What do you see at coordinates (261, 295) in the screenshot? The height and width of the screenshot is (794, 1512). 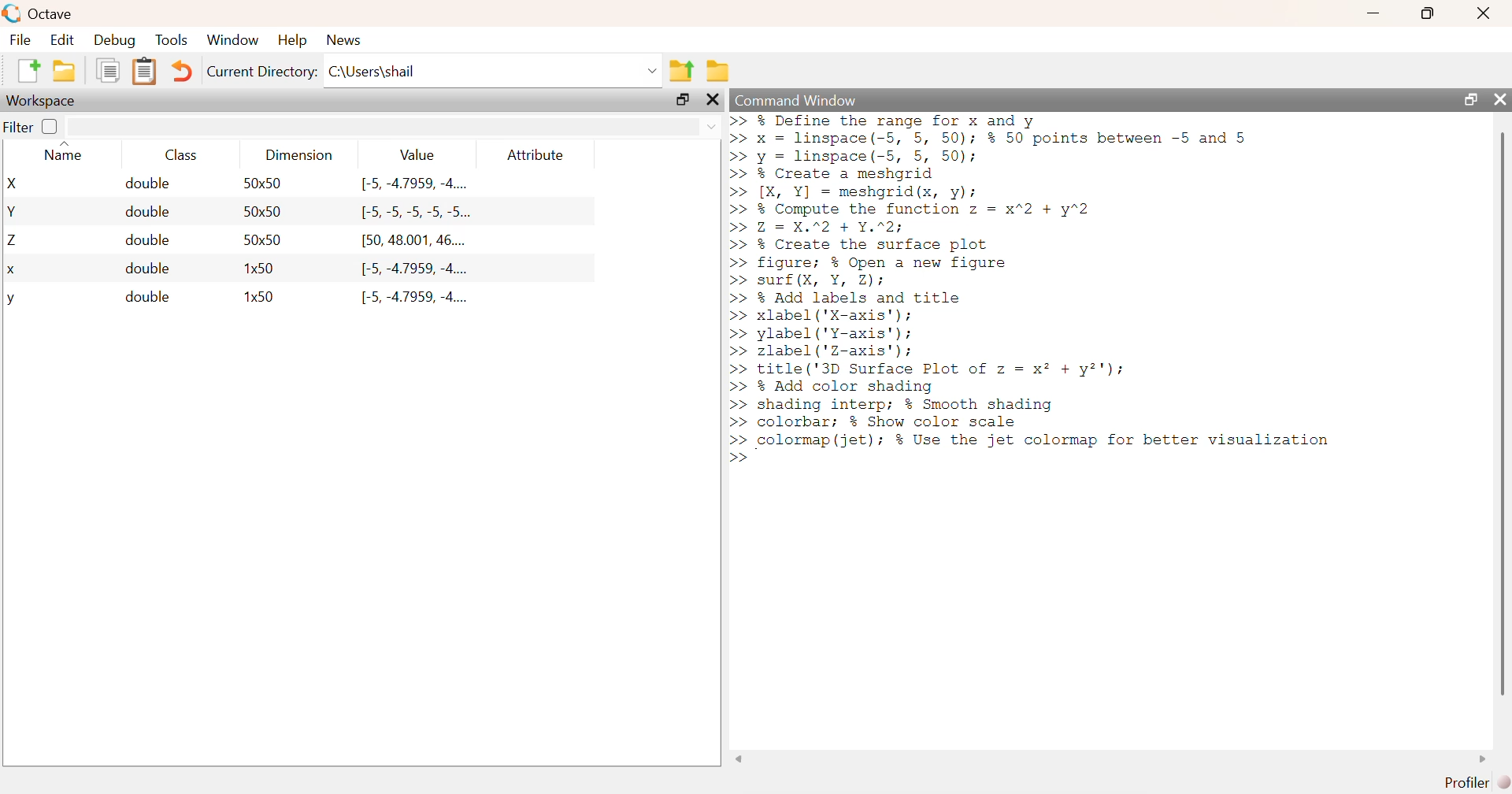 I see `1x50` at bounding box center [261, 295].